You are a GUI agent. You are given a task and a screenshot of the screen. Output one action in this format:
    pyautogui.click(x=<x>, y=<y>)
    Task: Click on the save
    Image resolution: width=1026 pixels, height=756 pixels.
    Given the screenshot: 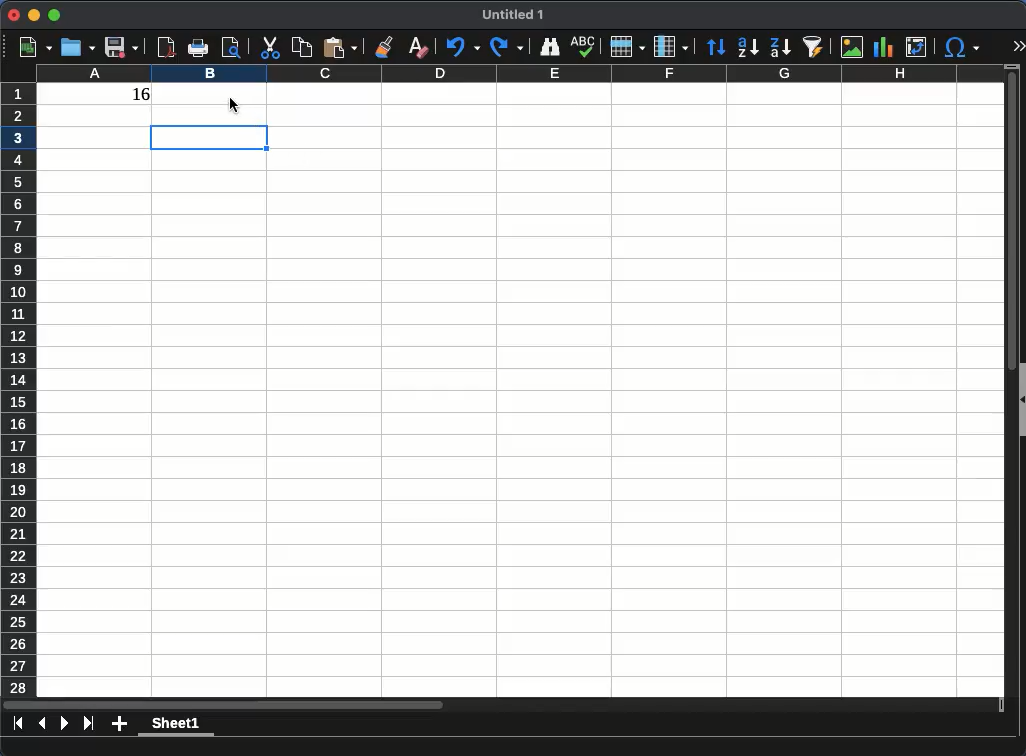 What is the action you would take?
    pyautogui.click(x=121, y=49)
    